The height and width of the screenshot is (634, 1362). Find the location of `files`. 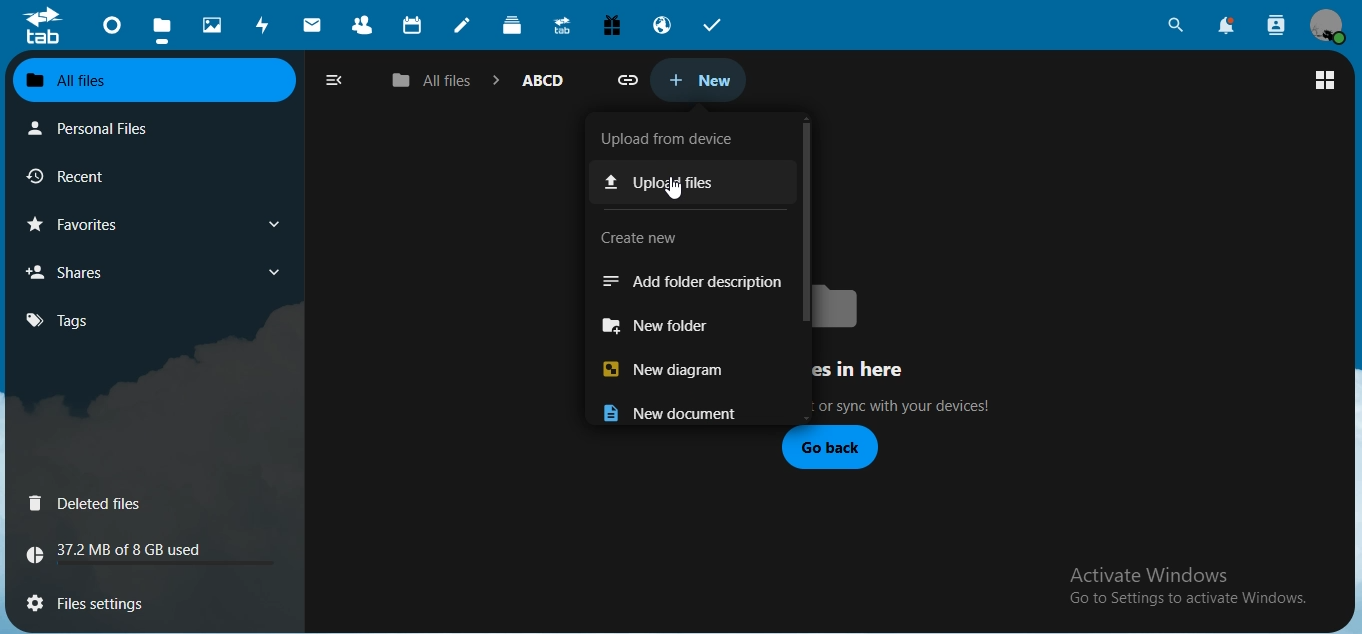

files is located at coordinates (161, 27).